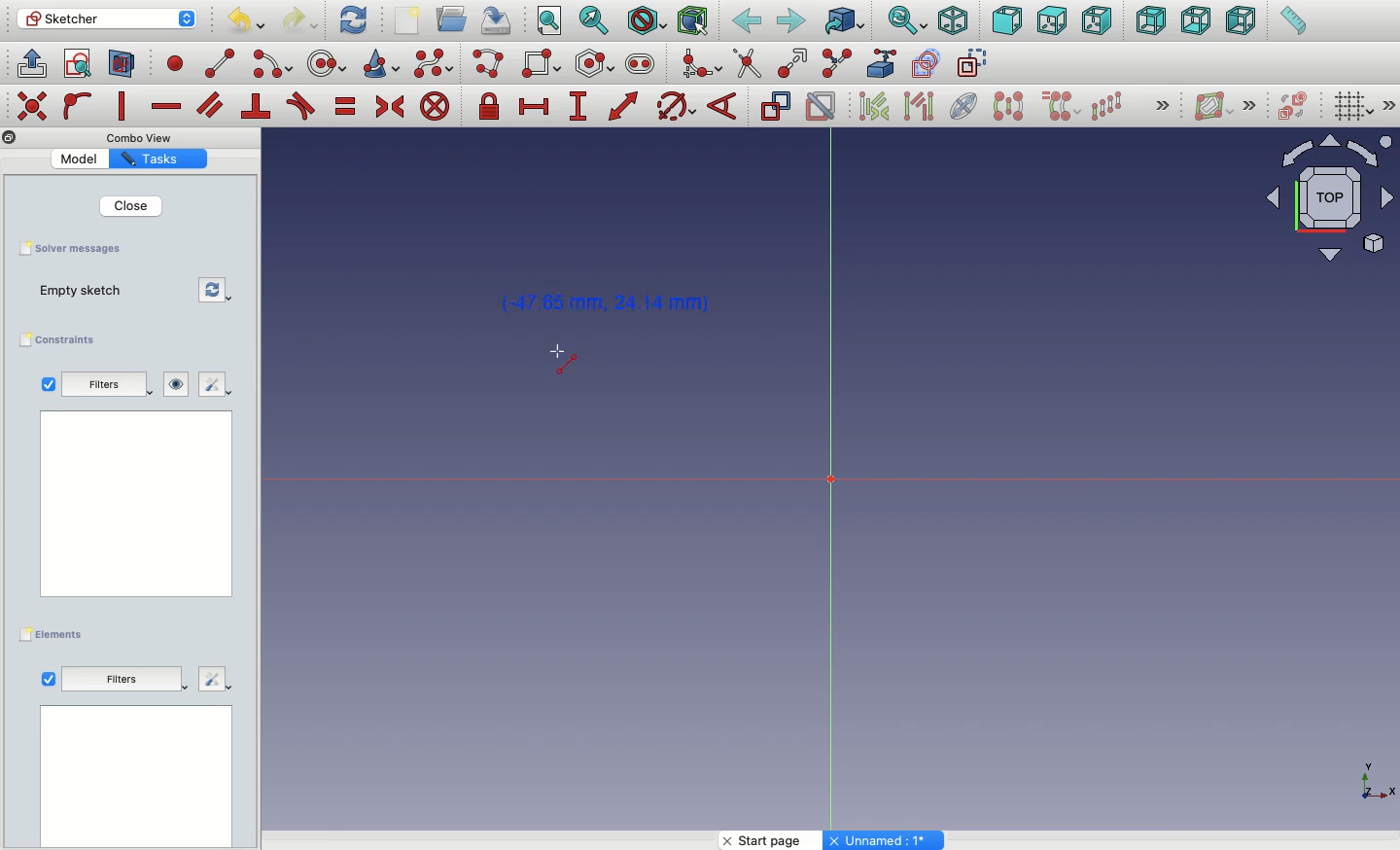 Image resolution: width=1400 pixels, height=850 pixels. I want to click on Back, so click(746, 22).